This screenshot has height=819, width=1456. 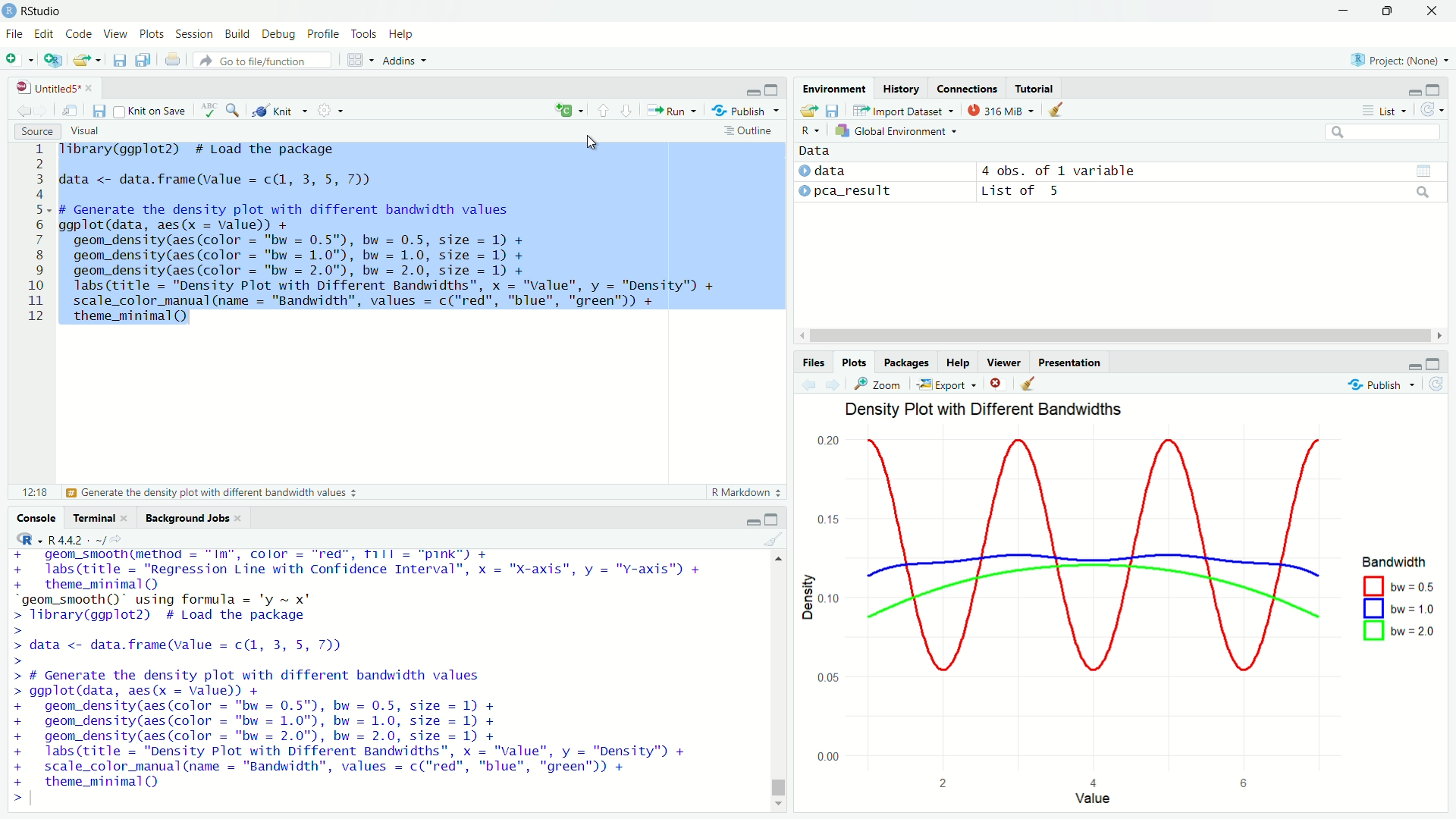 I want to click on Environment, so click(x=835, y=88).